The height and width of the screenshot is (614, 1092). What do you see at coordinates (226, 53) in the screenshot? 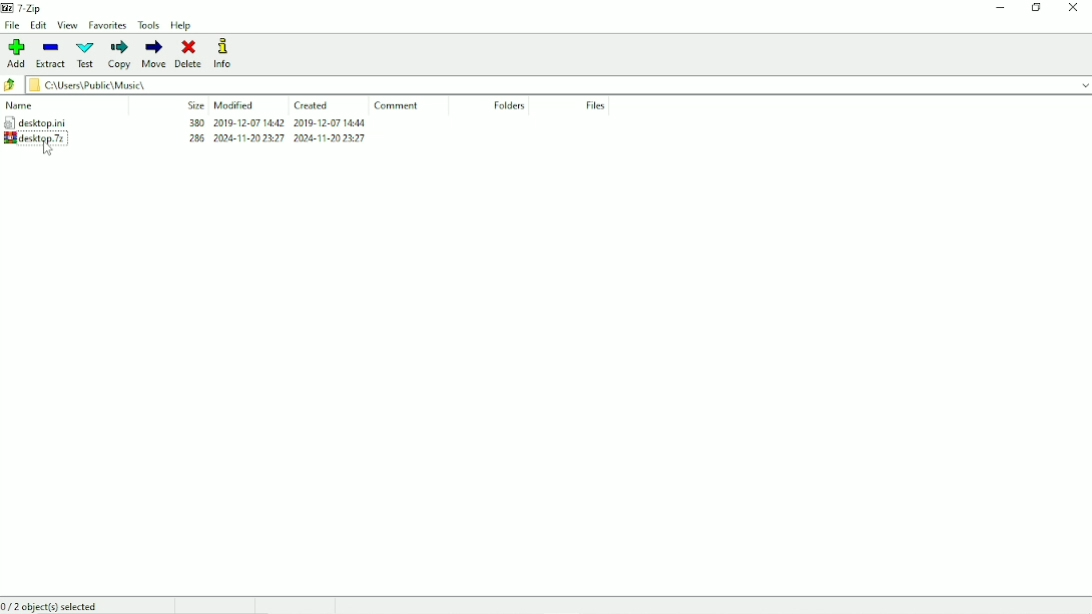
I see `Info` at bounding box center [226, 53].